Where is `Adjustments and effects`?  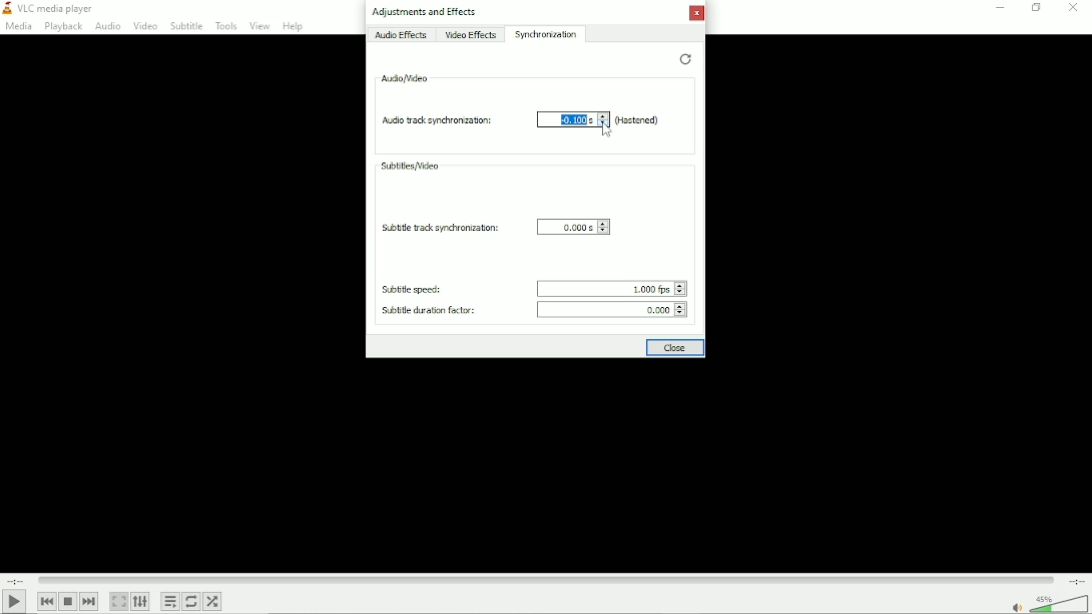 Adjustments and effects is located at coordinates (424, 12).